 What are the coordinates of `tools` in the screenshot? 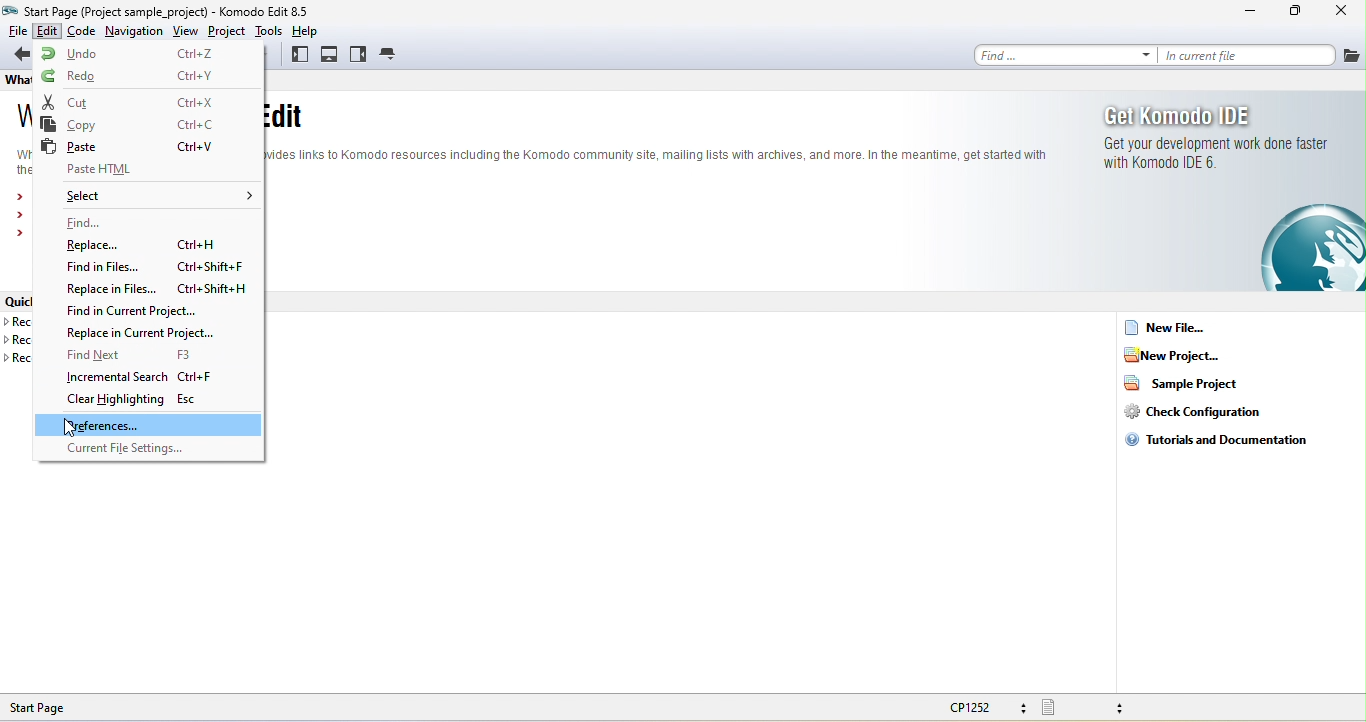 It's located at (269, 31).